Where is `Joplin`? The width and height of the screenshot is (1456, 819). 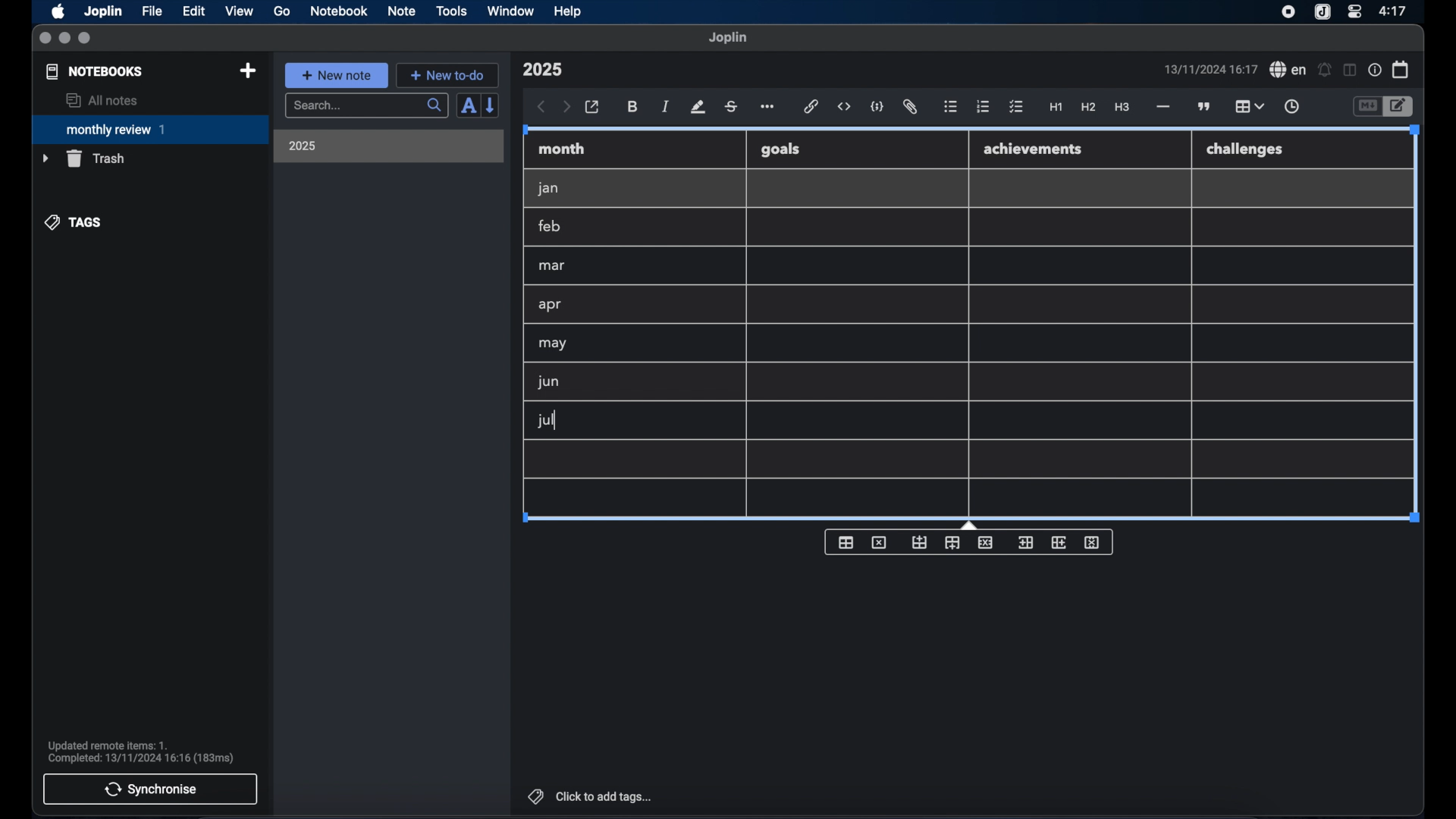
Joplin is located at coordinates (105, 12).